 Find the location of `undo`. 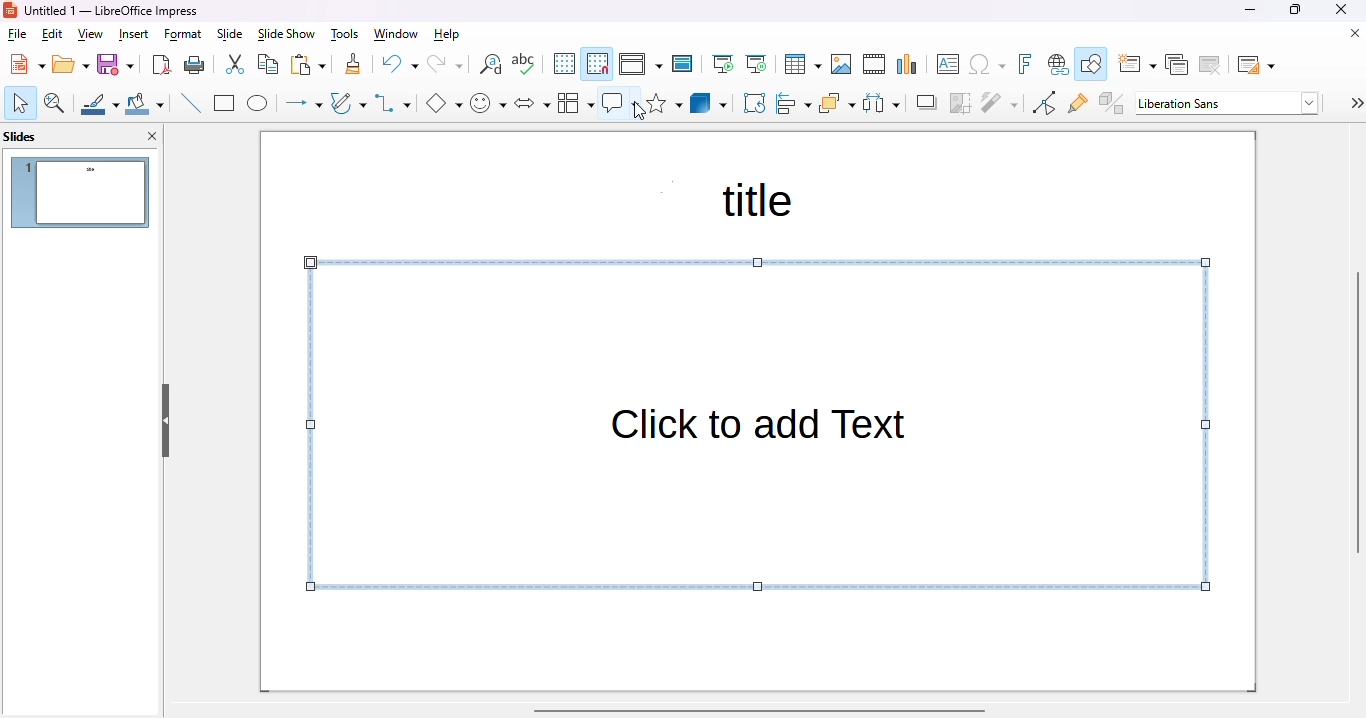

undo is located at coordinates (400, 64).